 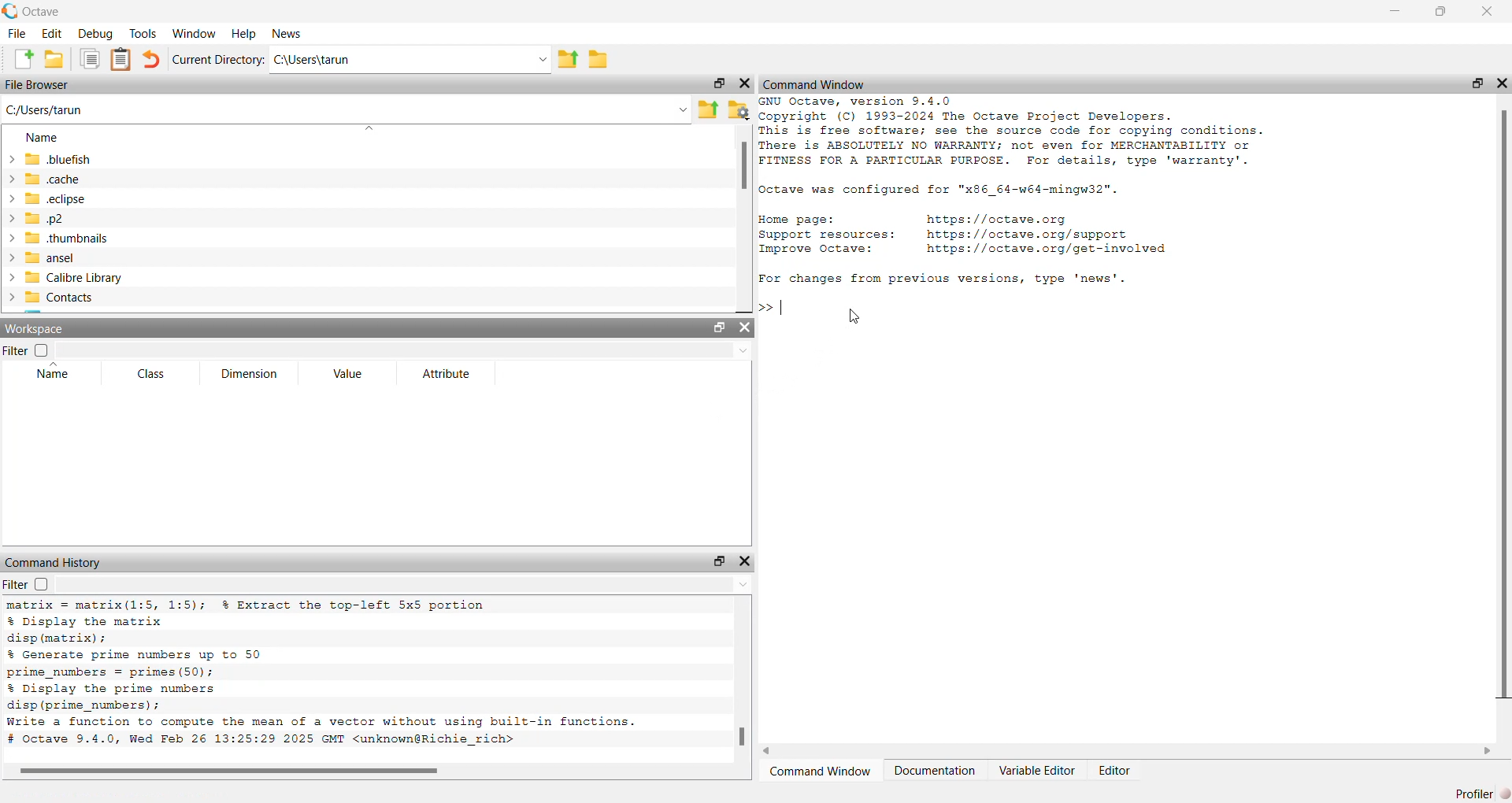 I want to click on Profiler, so click(x=1482, y=794).